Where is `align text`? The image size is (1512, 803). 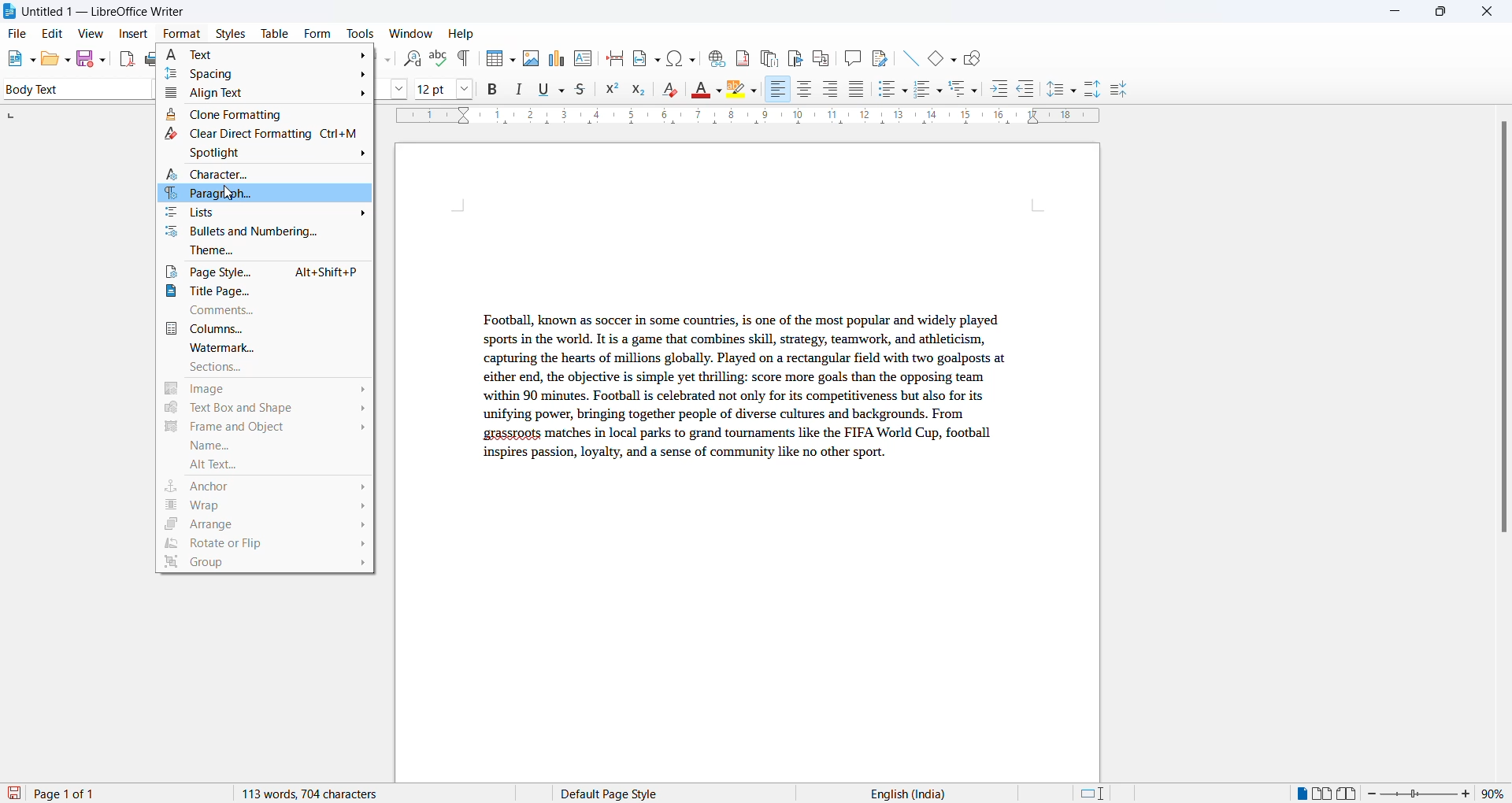
align text is located at coordinates (267, 92).